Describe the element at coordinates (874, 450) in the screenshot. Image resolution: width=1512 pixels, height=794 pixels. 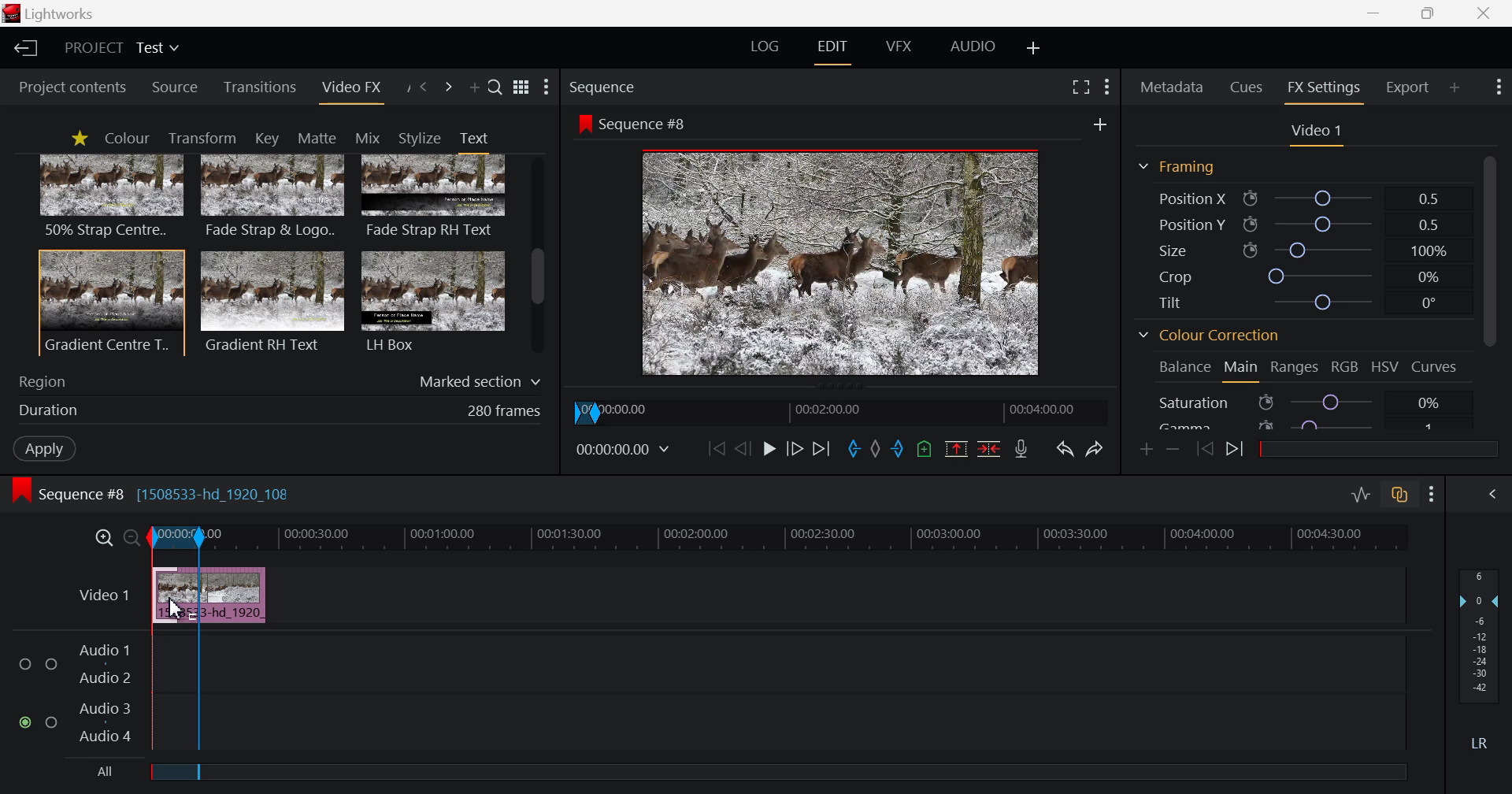
I see `Remove all marks` at that location.